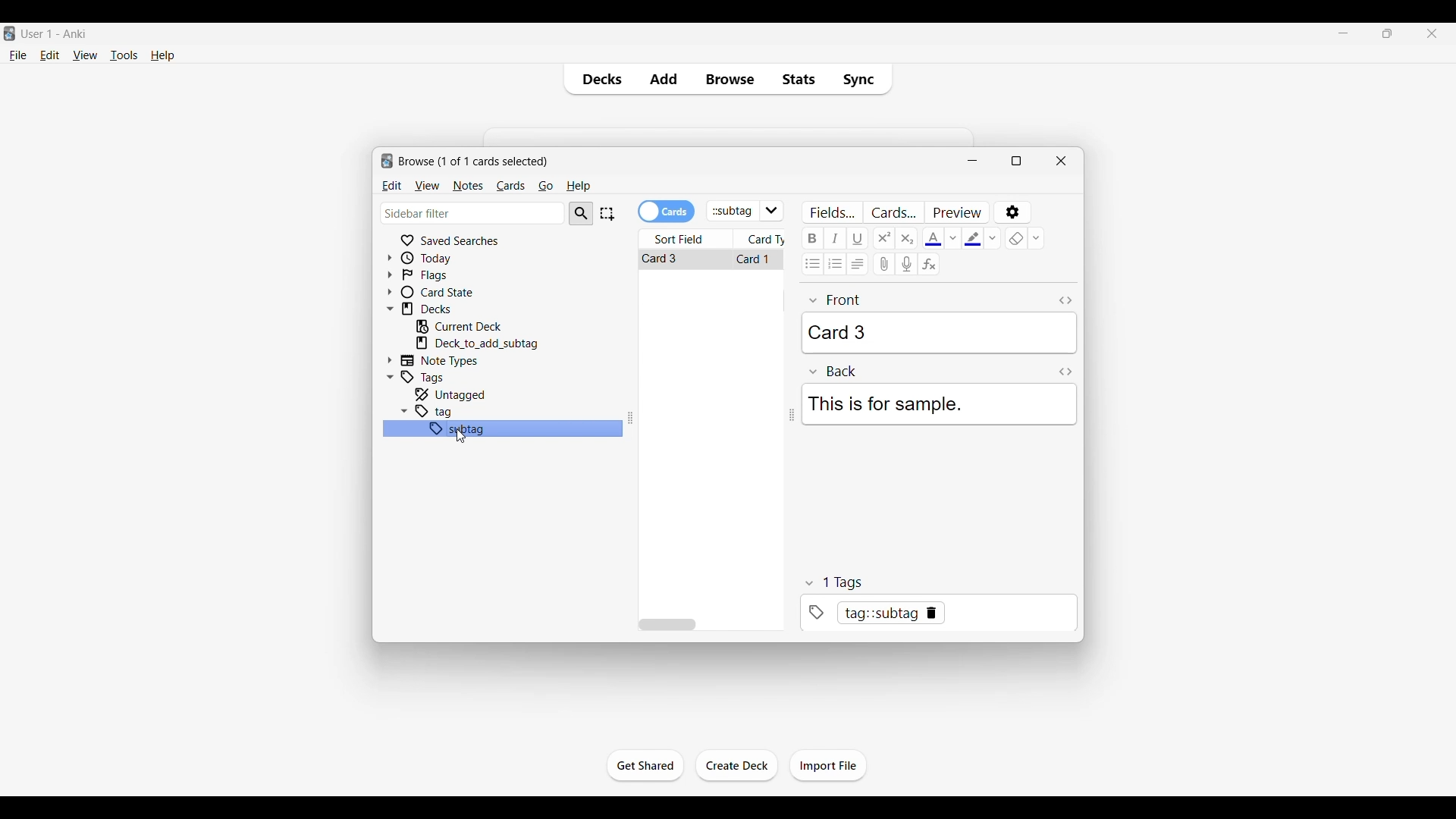  Describe the element at coordinates (50, 55) in the screenshot. I see `Edit menu` at that location.